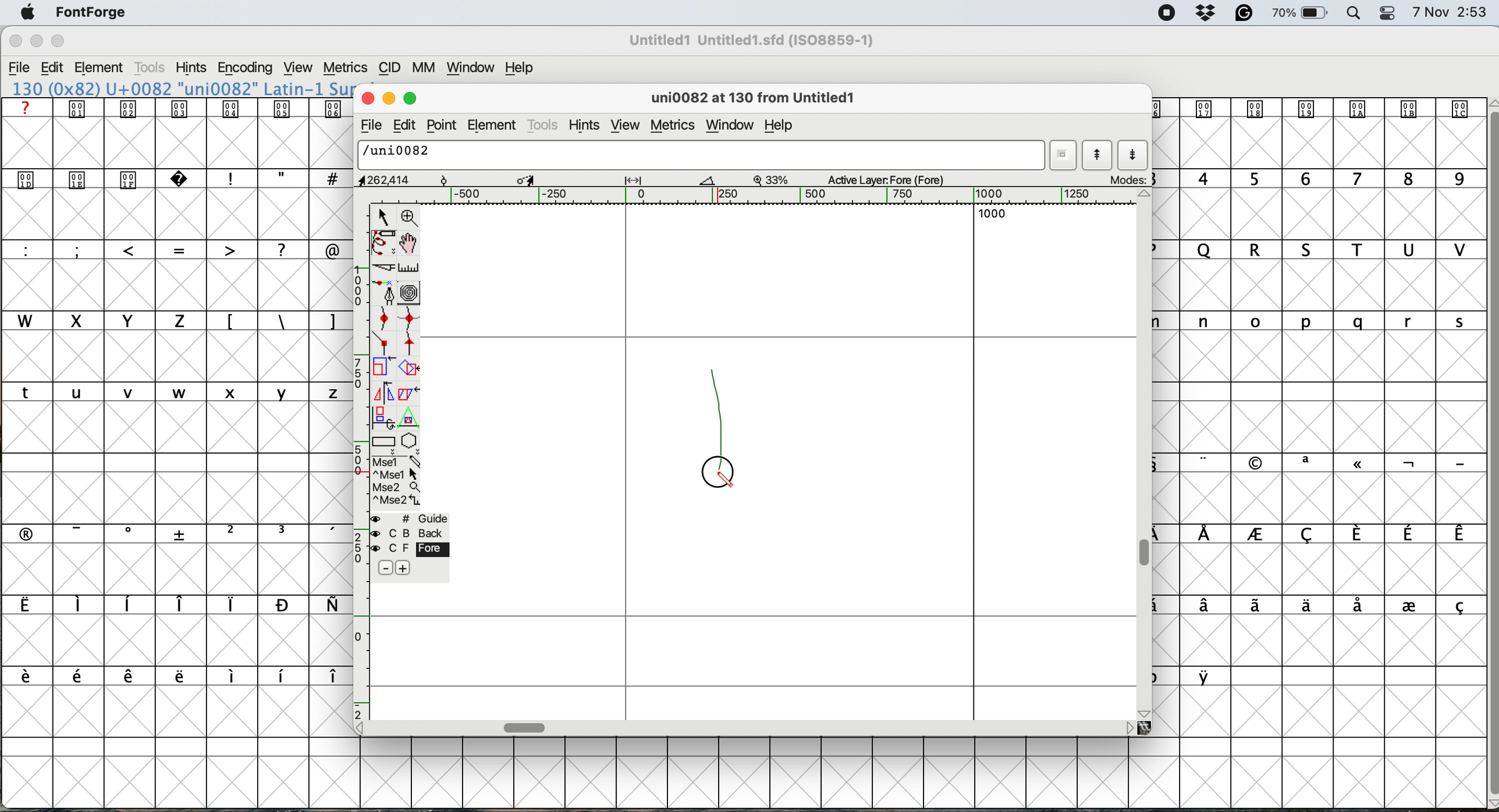 The image size is (1499, 812). What do you see at coordinates (756, 40) in the screenshot?
I see `font name` at bounding box center [756, 40].